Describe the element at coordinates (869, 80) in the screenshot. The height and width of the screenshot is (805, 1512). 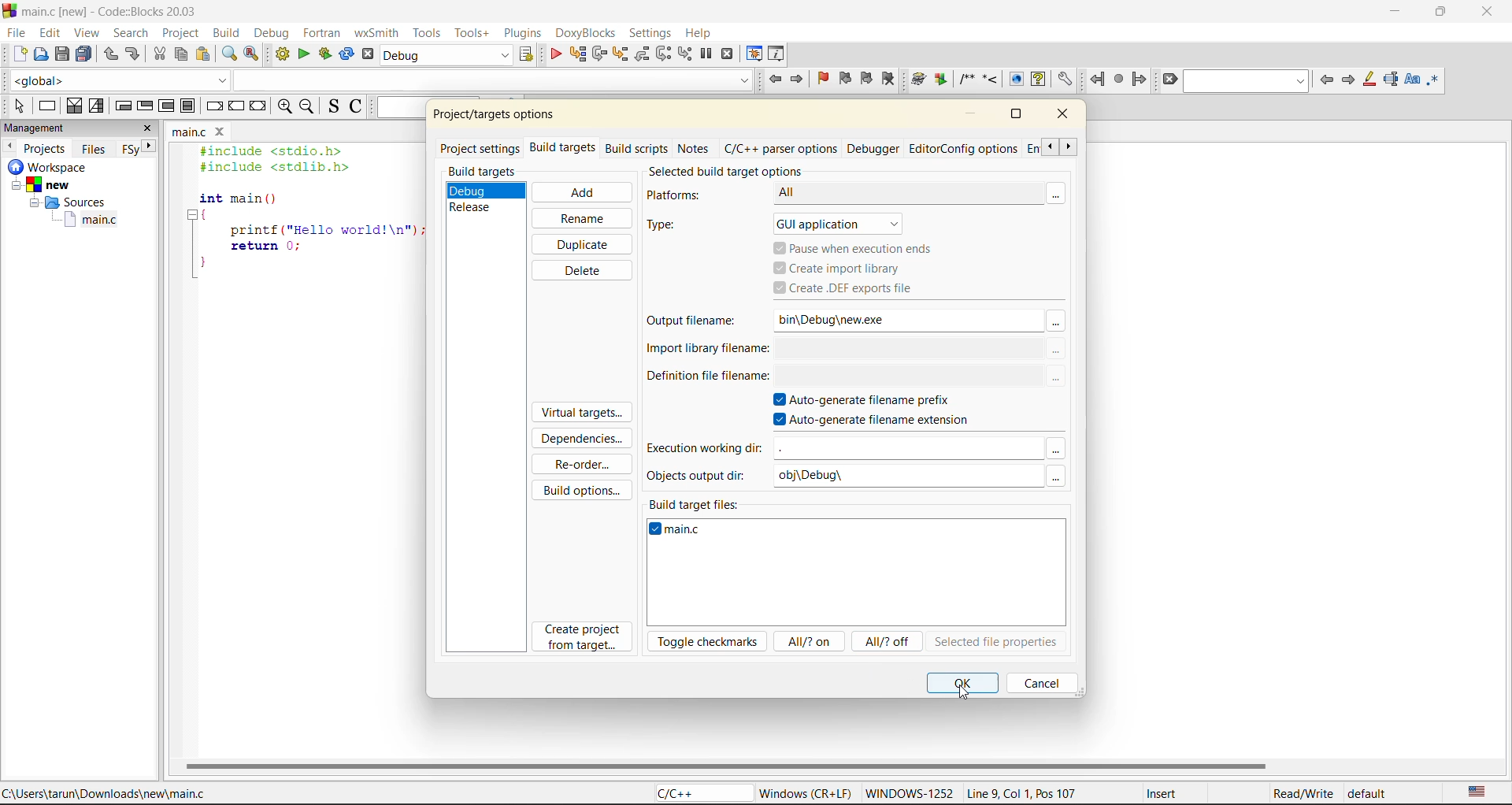
I see `next bookmark` at that location.